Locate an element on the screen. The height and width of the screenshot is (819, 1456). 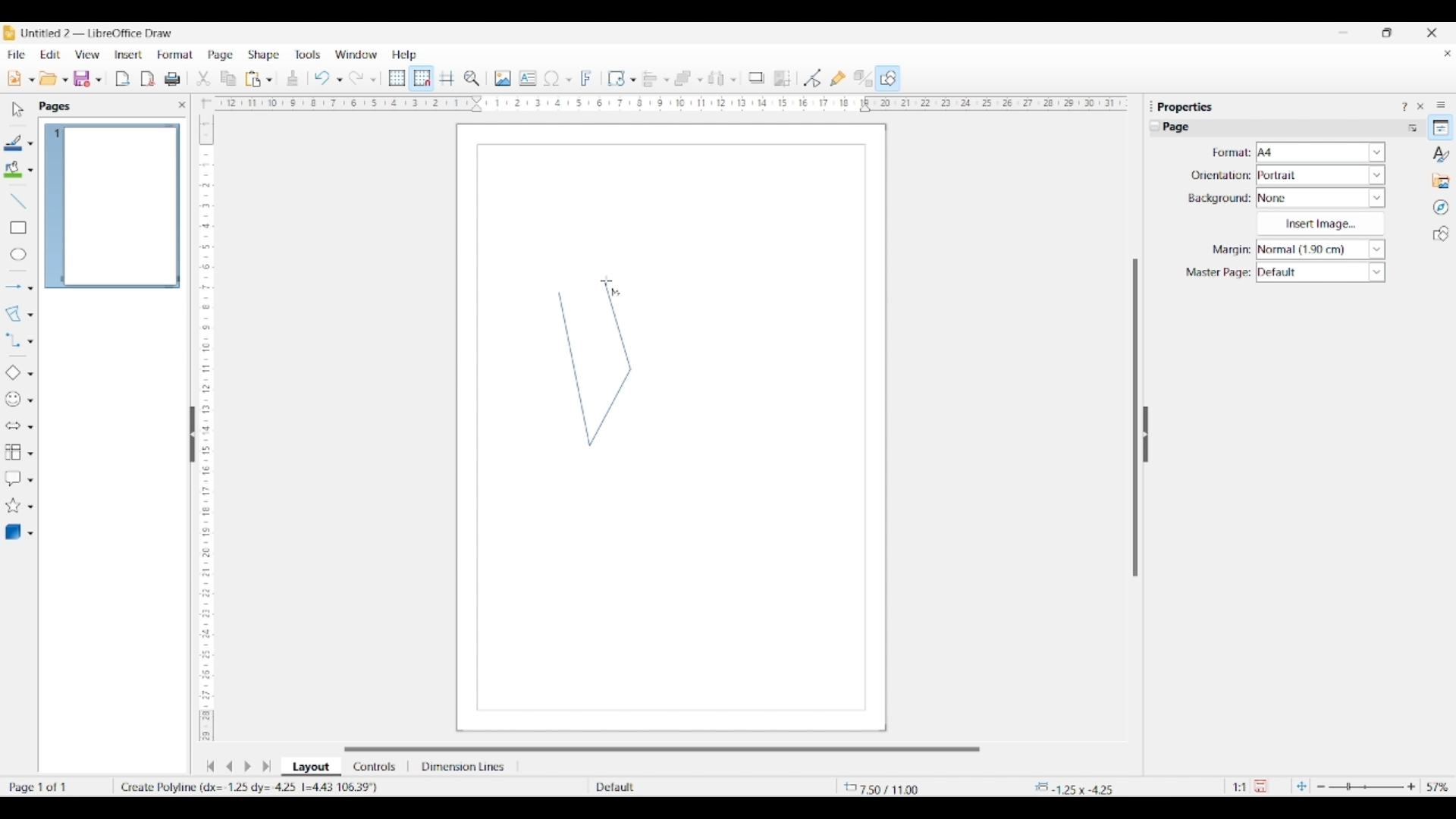
Dimension lines is located at coordinates (464, 767).